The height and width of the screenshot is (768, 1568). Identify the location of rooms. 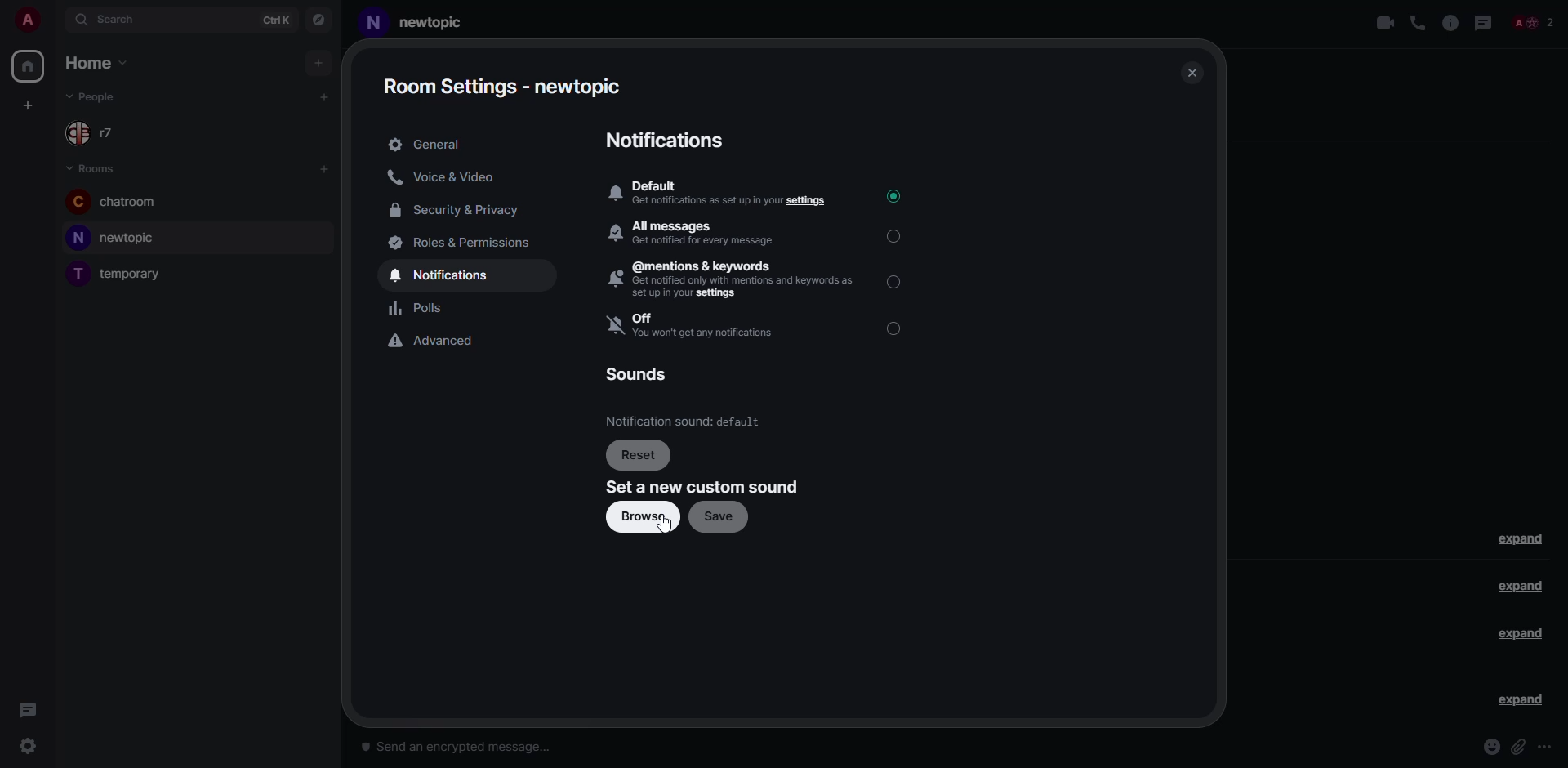
(94, 168).